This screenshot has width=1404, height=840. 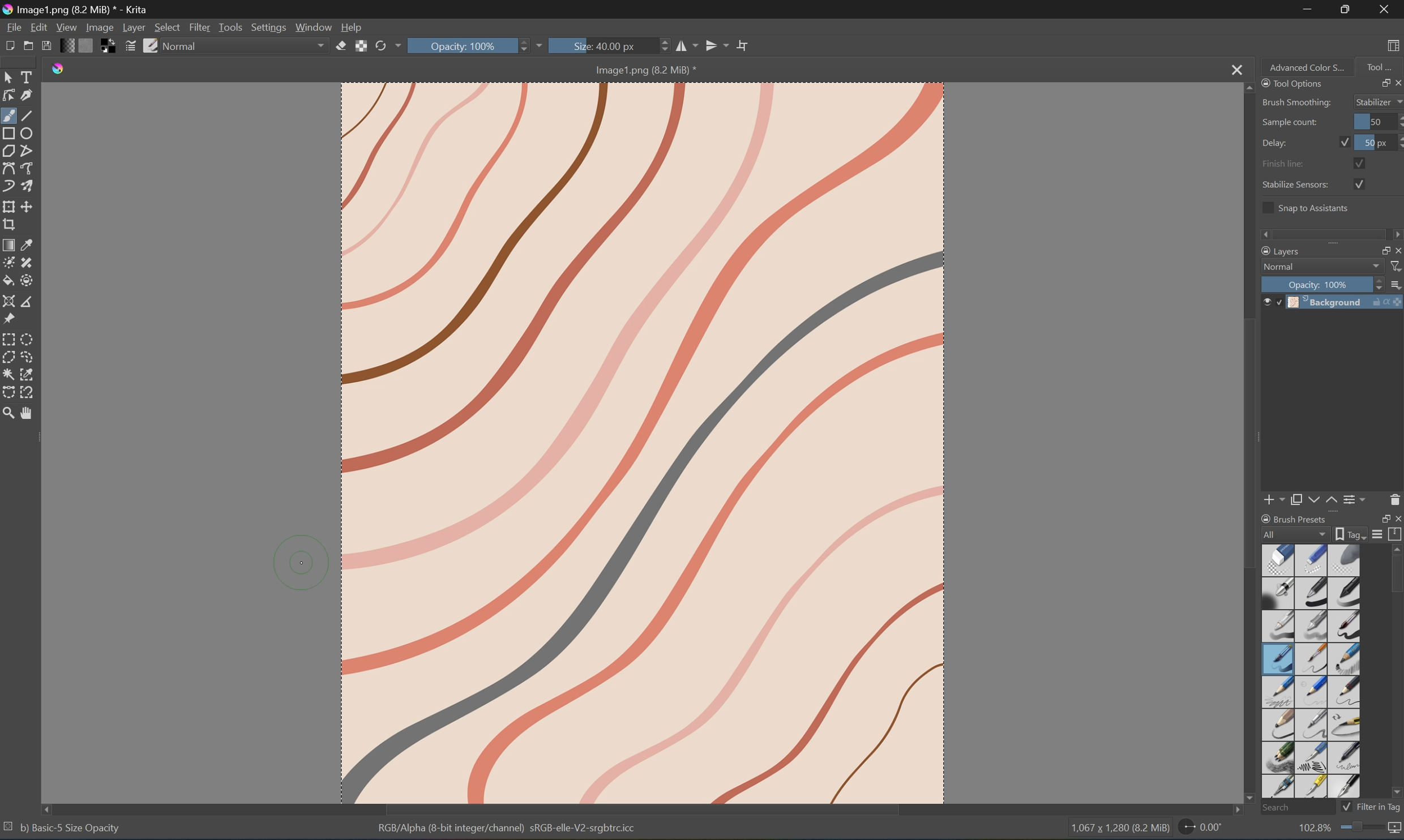 I want to click on Scroll Down, so click(x=1395, y=792).